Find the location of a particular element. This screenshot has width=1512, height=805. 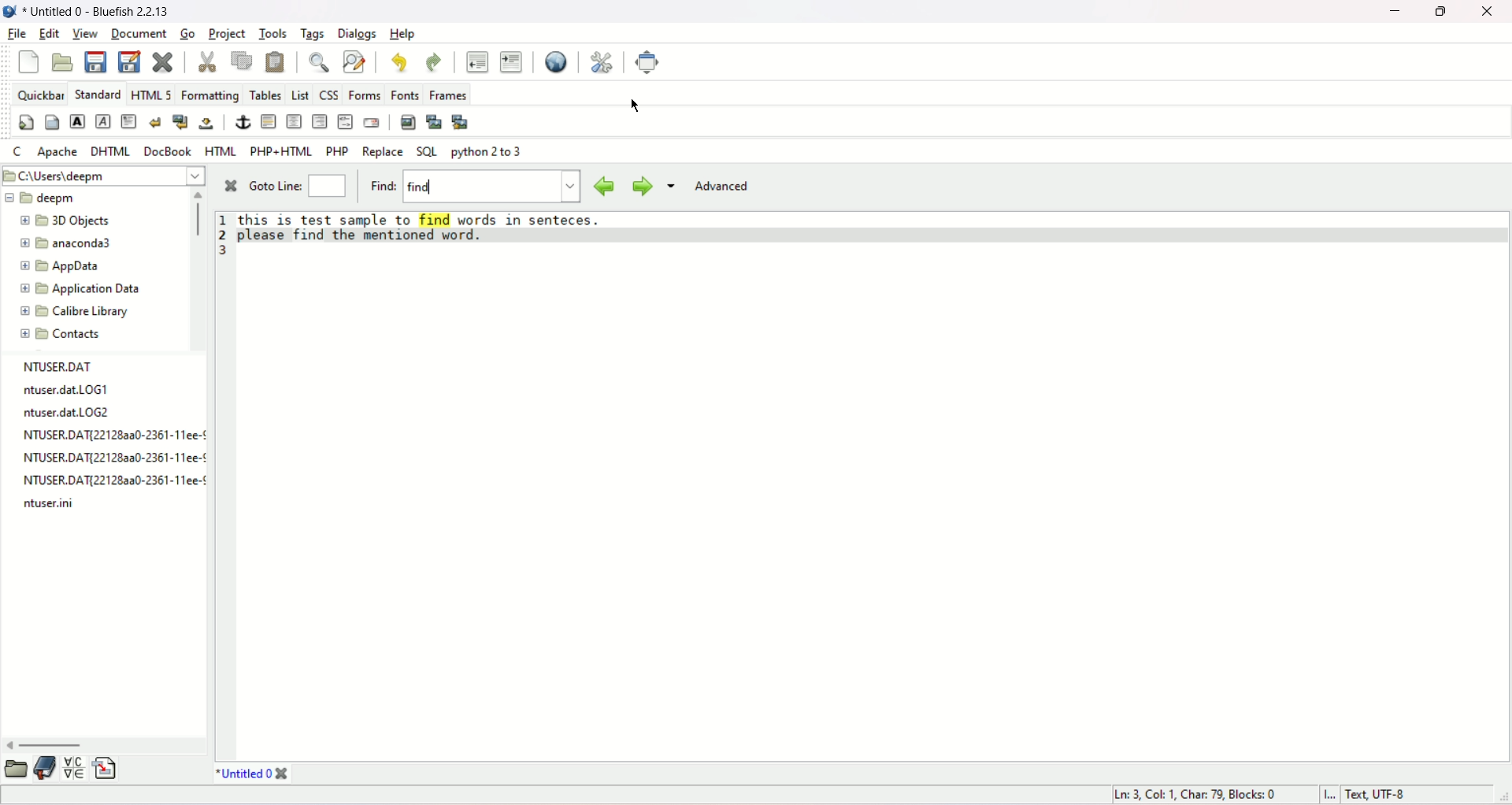

close tab is located at coordinates (283, 774).